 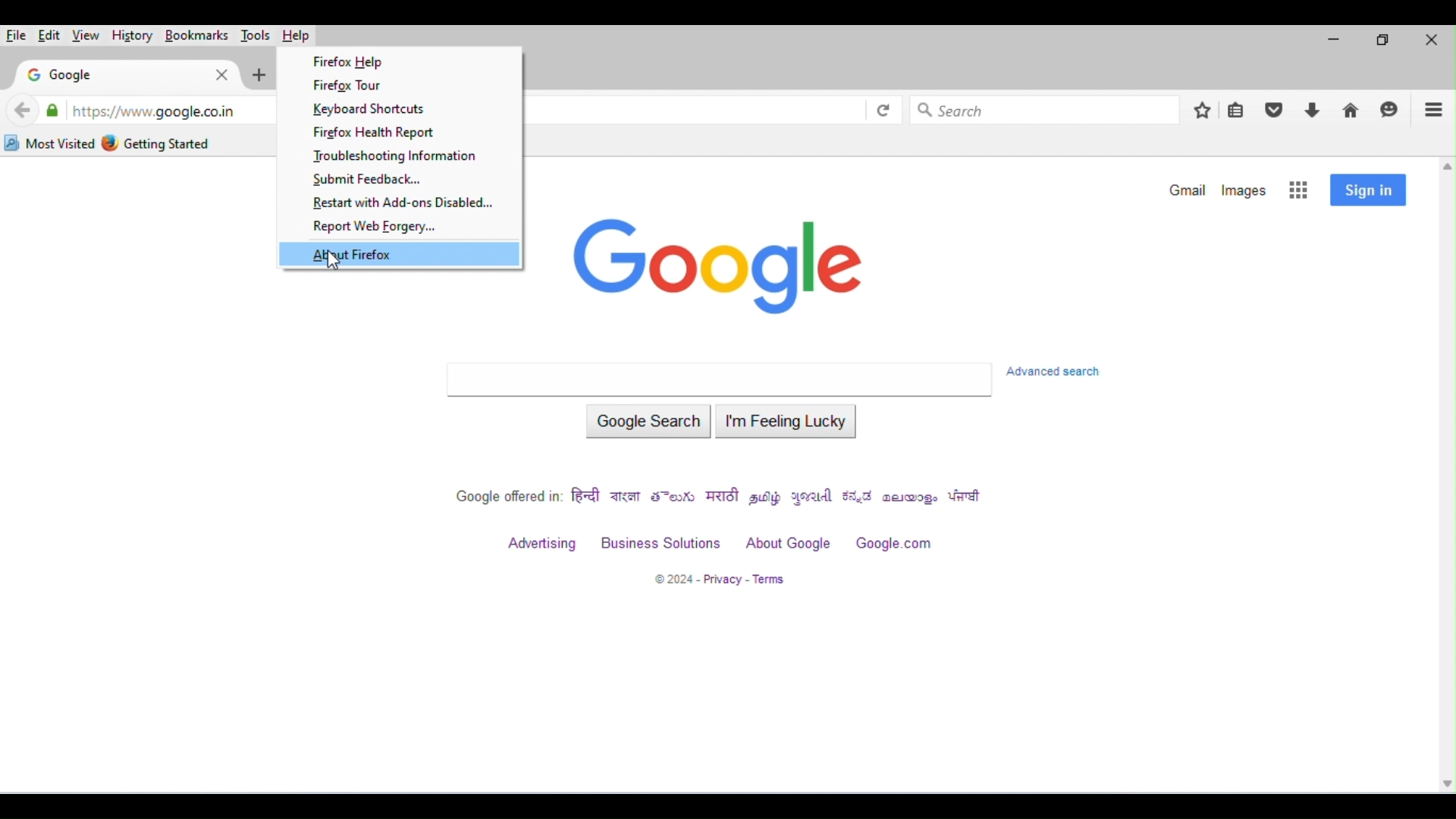 What do you see at coordinates (1392, 110) in the screenshot?
I see `start a chat` at bounding box center [1392, 110].